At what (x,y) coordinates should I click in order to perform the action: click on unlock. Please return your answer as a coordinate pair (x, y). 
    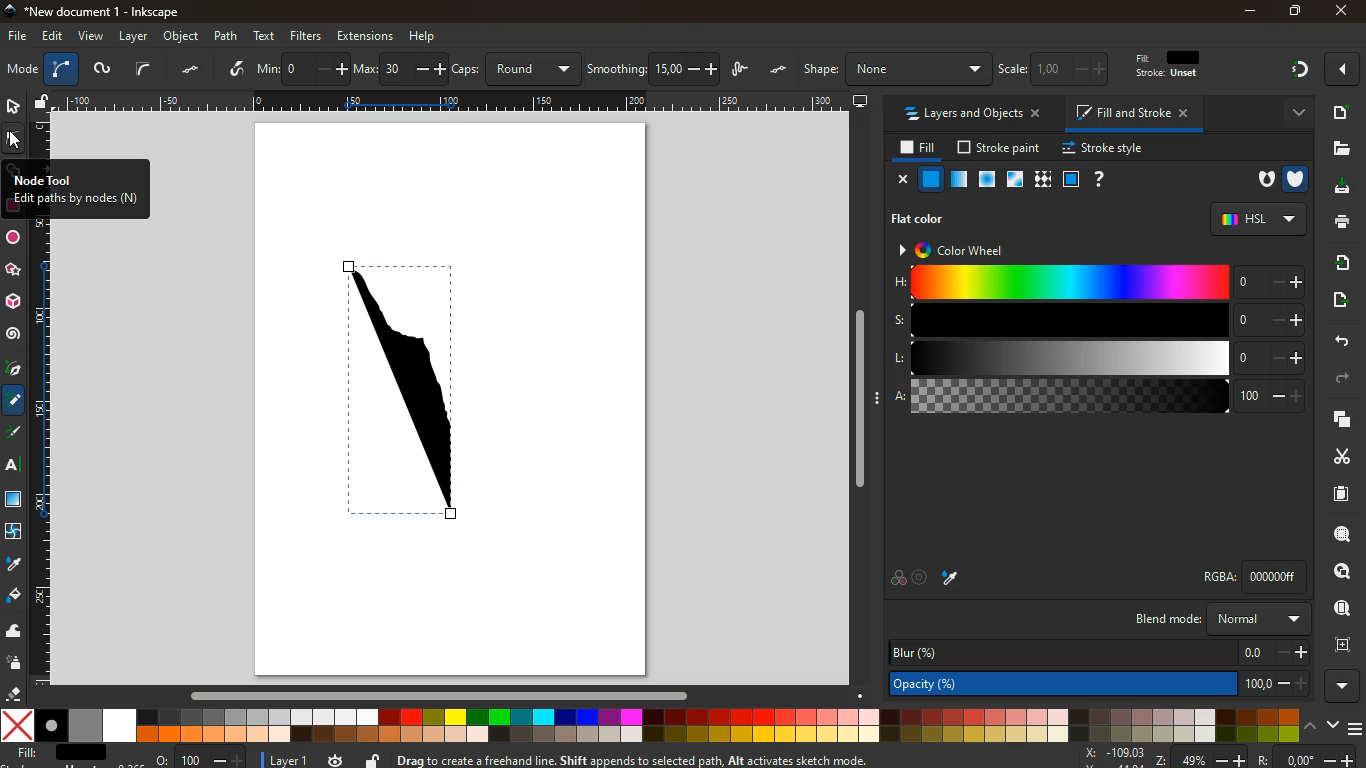
    Looking at the image, I should click on (374, 759).